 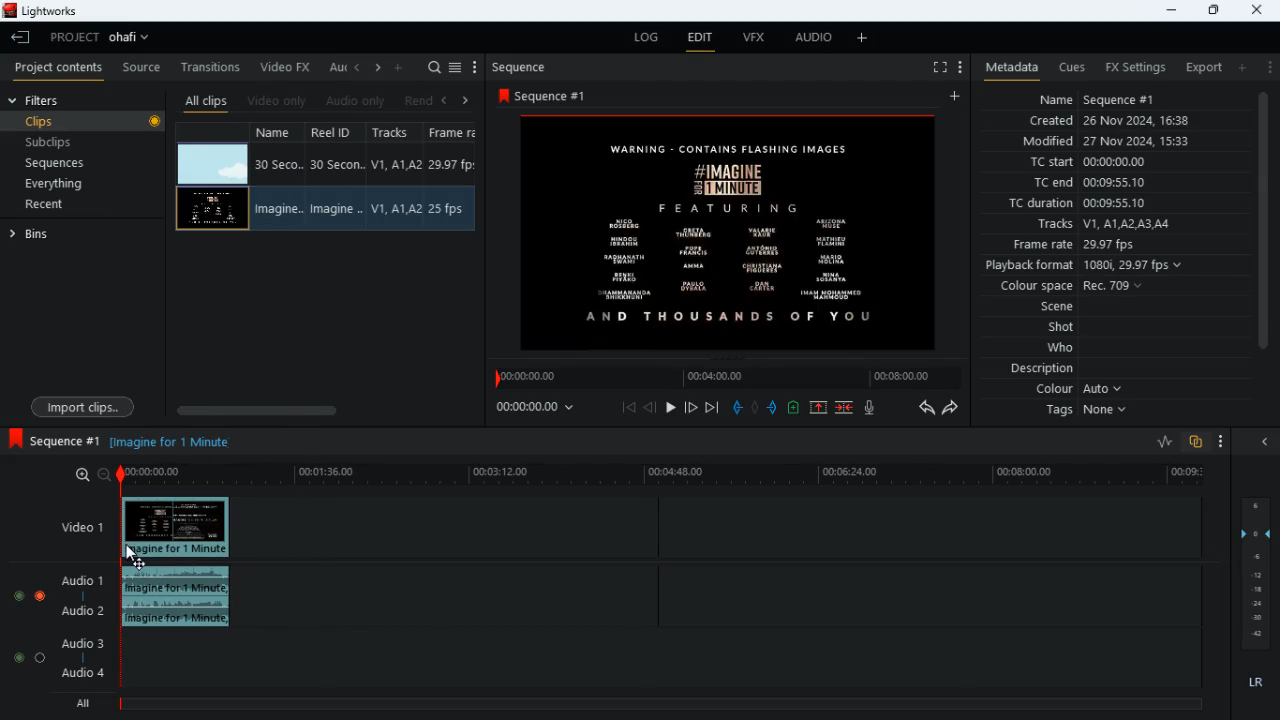 What do you see at coordinates (1083, 416) in the screenshot?
I see `tags` at bounding box center [1083, 416].